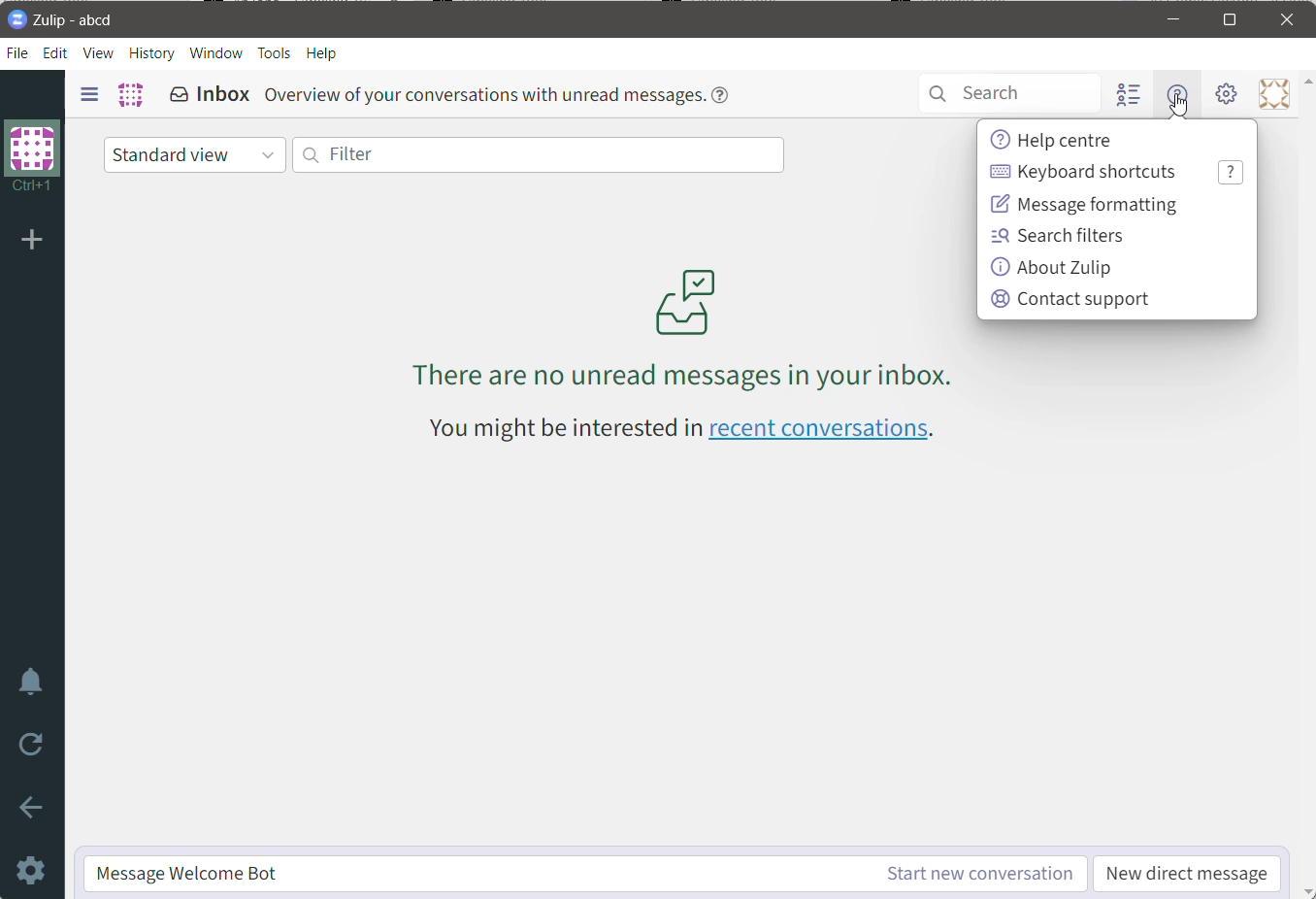  Describe the element at coordinates (1233, 18) in the screenshot. I see `Maximize` at that location.